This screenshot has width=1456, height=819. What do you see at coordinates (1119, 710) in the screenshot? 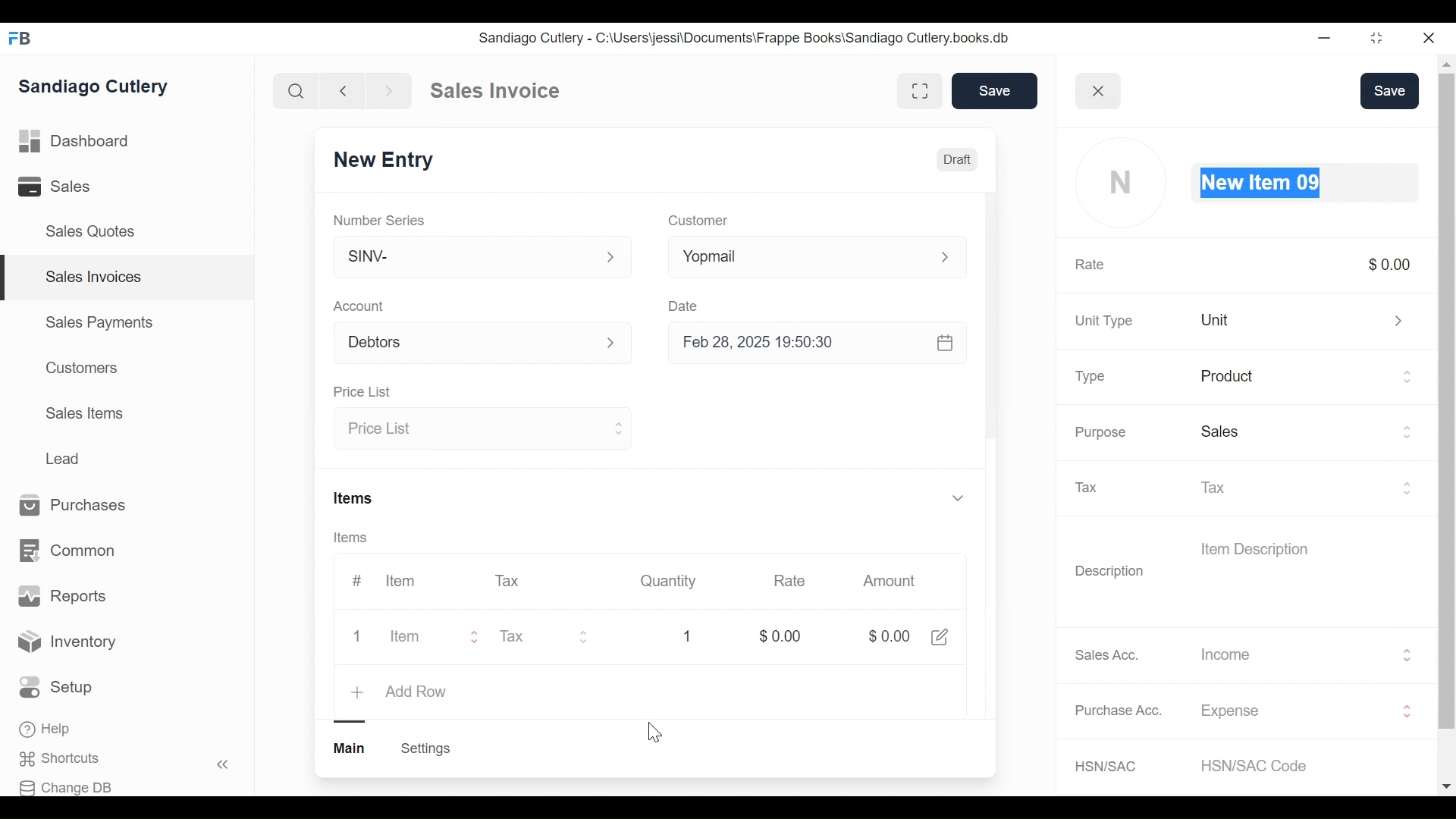
I see `Purchase Acc.` at bounding box center [1119, 710].